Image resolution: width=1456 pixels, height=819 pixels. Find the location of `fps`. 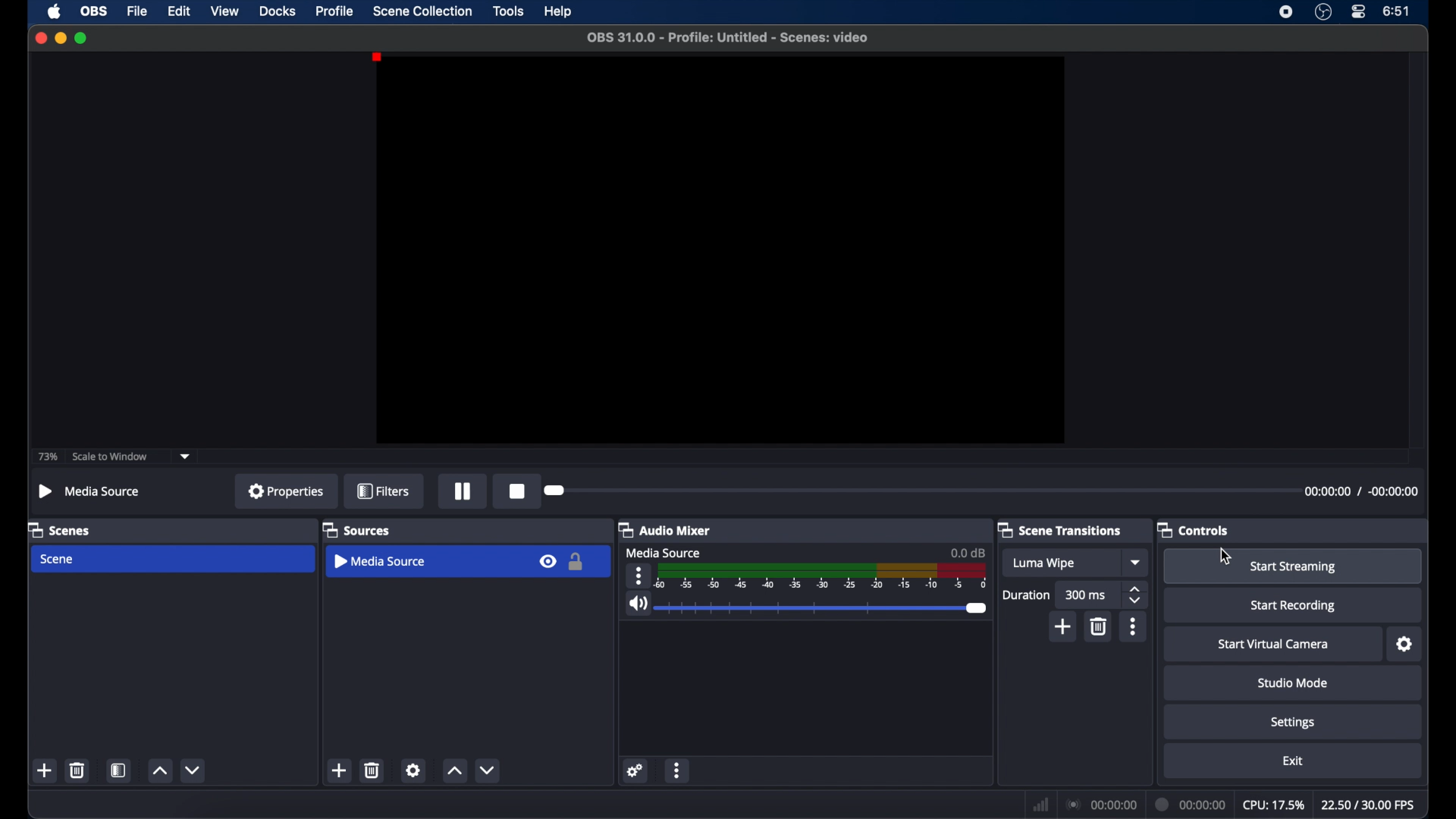

fps is located at coordinates (1369, 805).